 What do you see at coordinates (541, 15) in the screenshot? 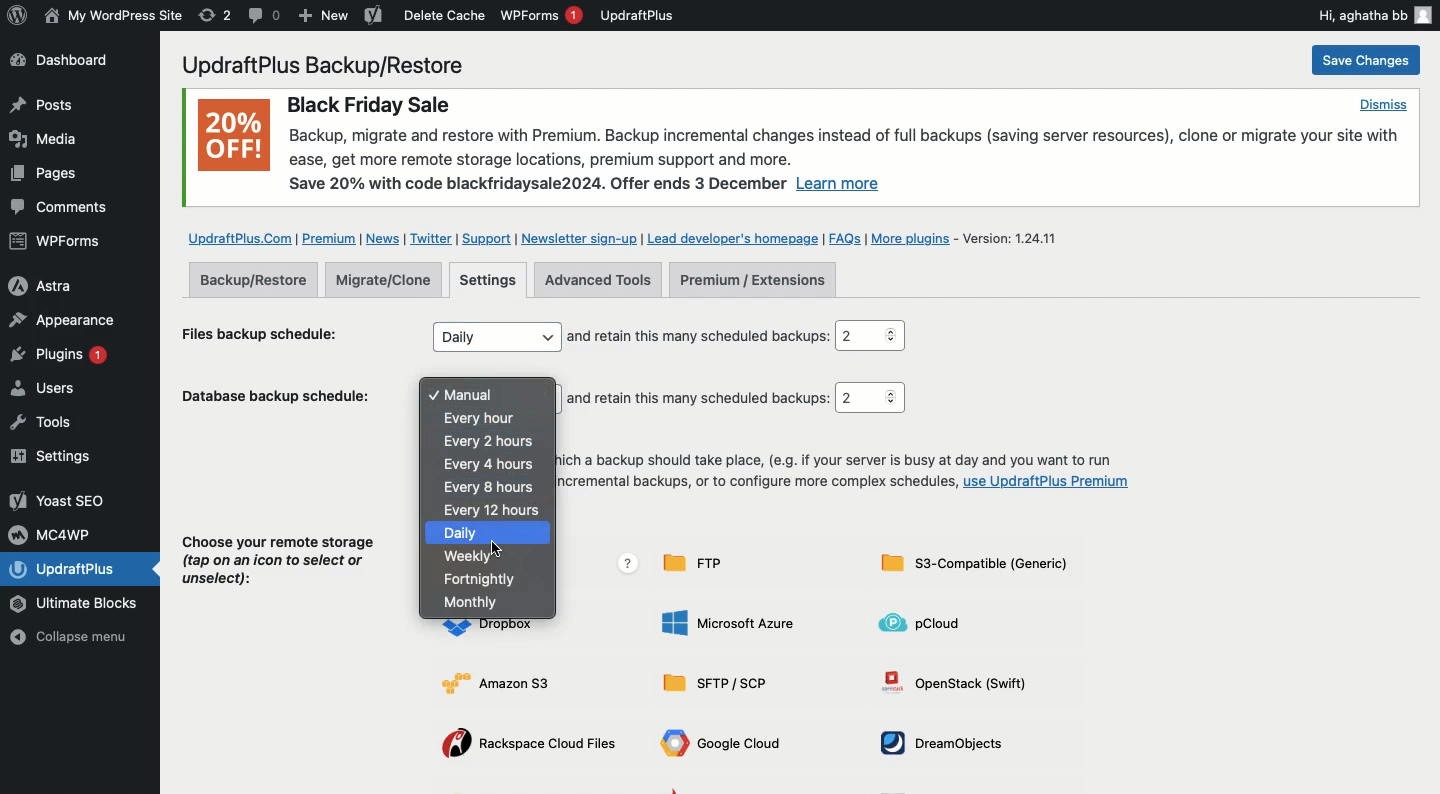
I see `WPForms 1` at bounding box center [541, 15].